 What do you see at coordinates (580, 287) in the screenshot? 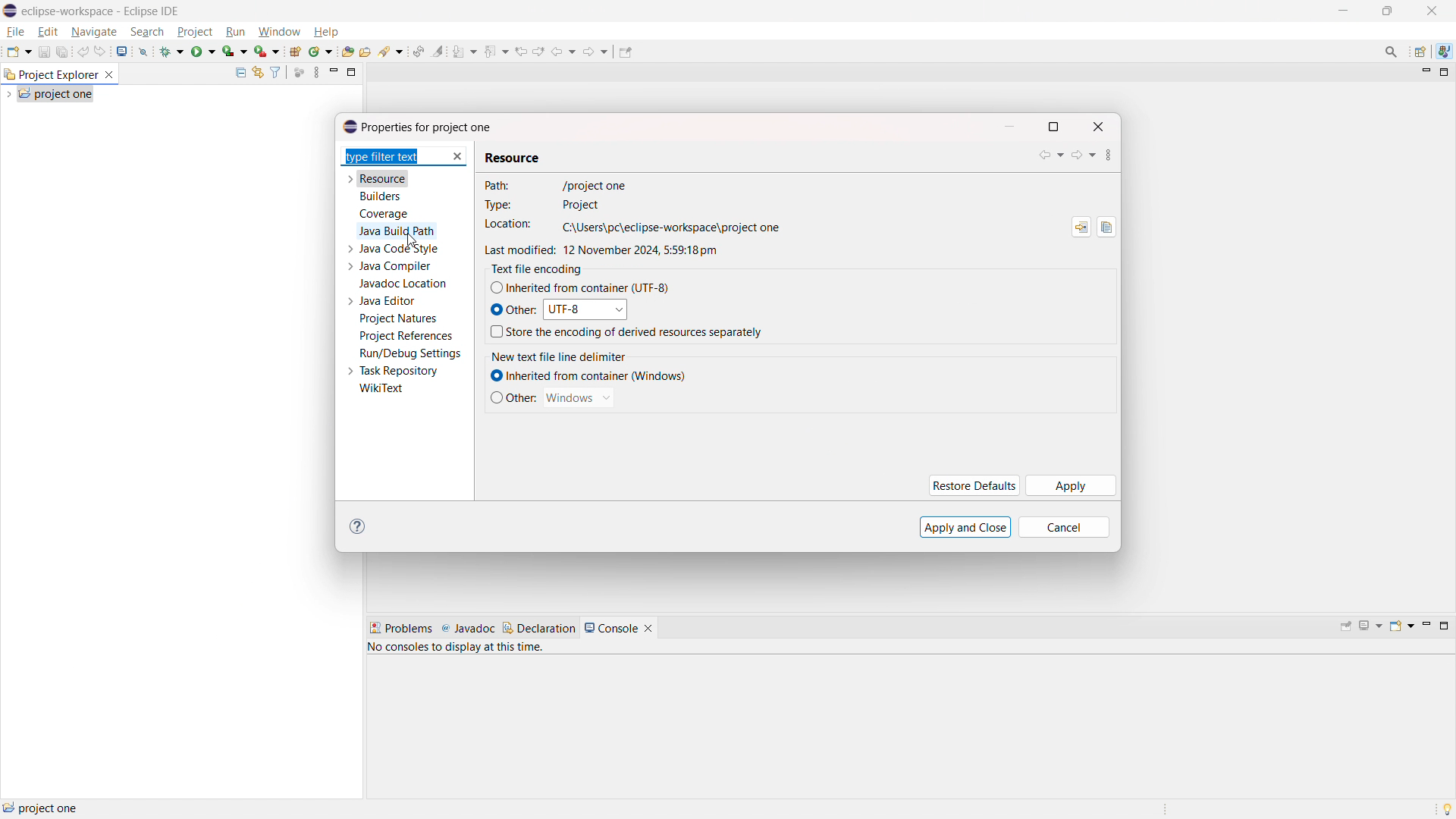
I see `inherted from container (UTF-8)` at bounding box center [580, 287].